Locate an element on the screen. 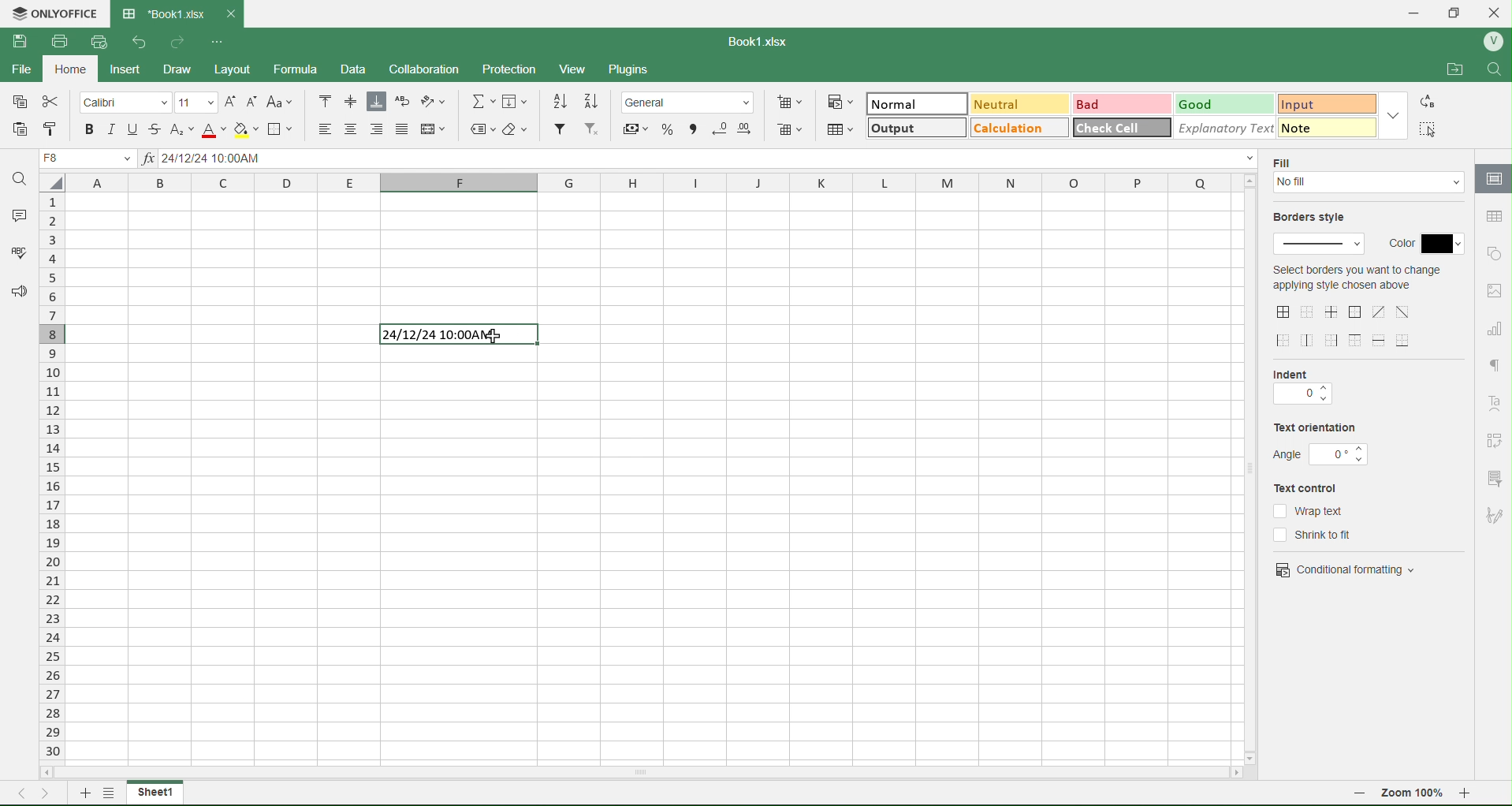 The image size is (1512, 806). link is located at coordinates (1495, 440).